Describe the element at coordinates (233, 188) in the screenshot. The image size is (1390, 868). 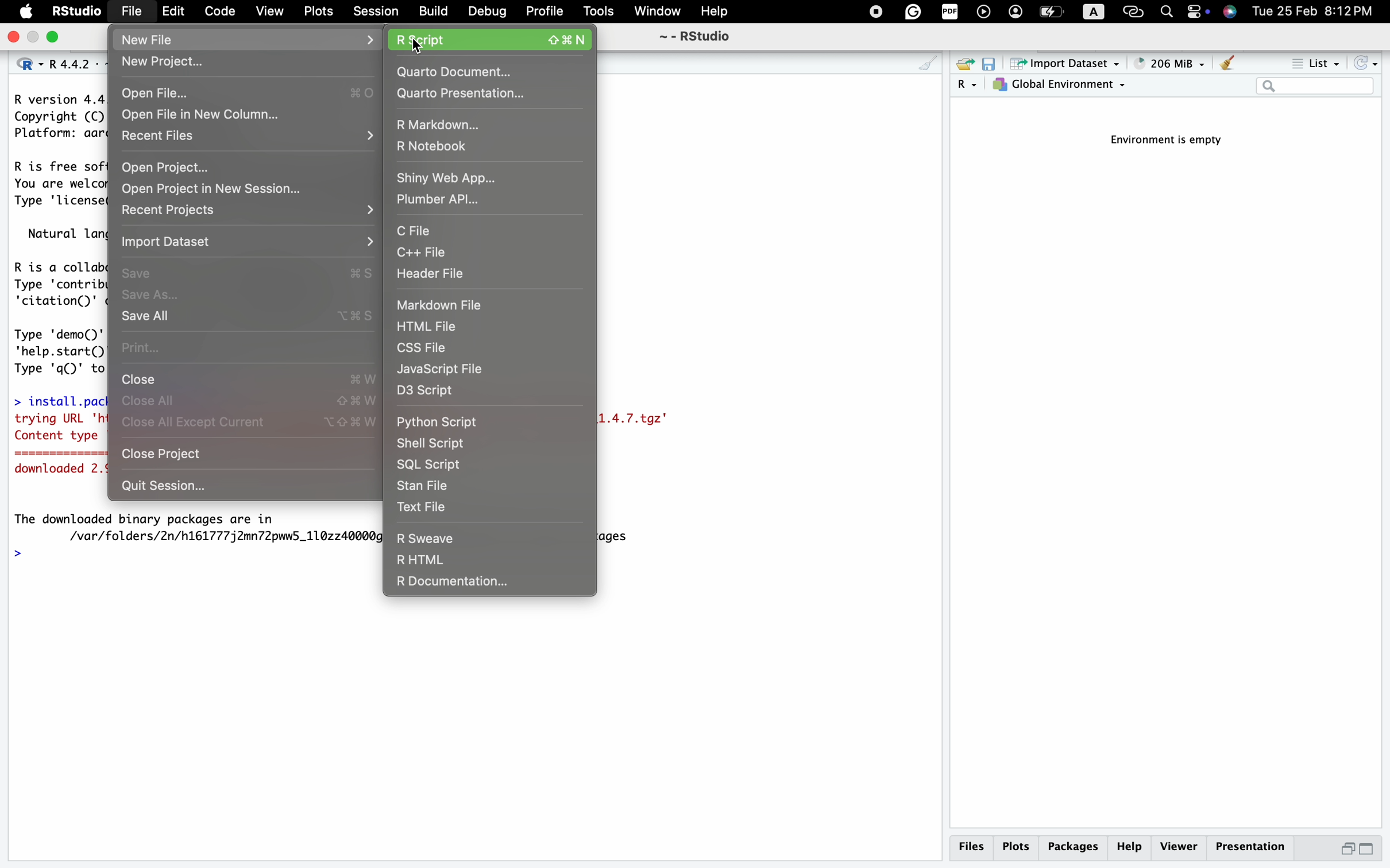
I see `open project in new session` at that location.